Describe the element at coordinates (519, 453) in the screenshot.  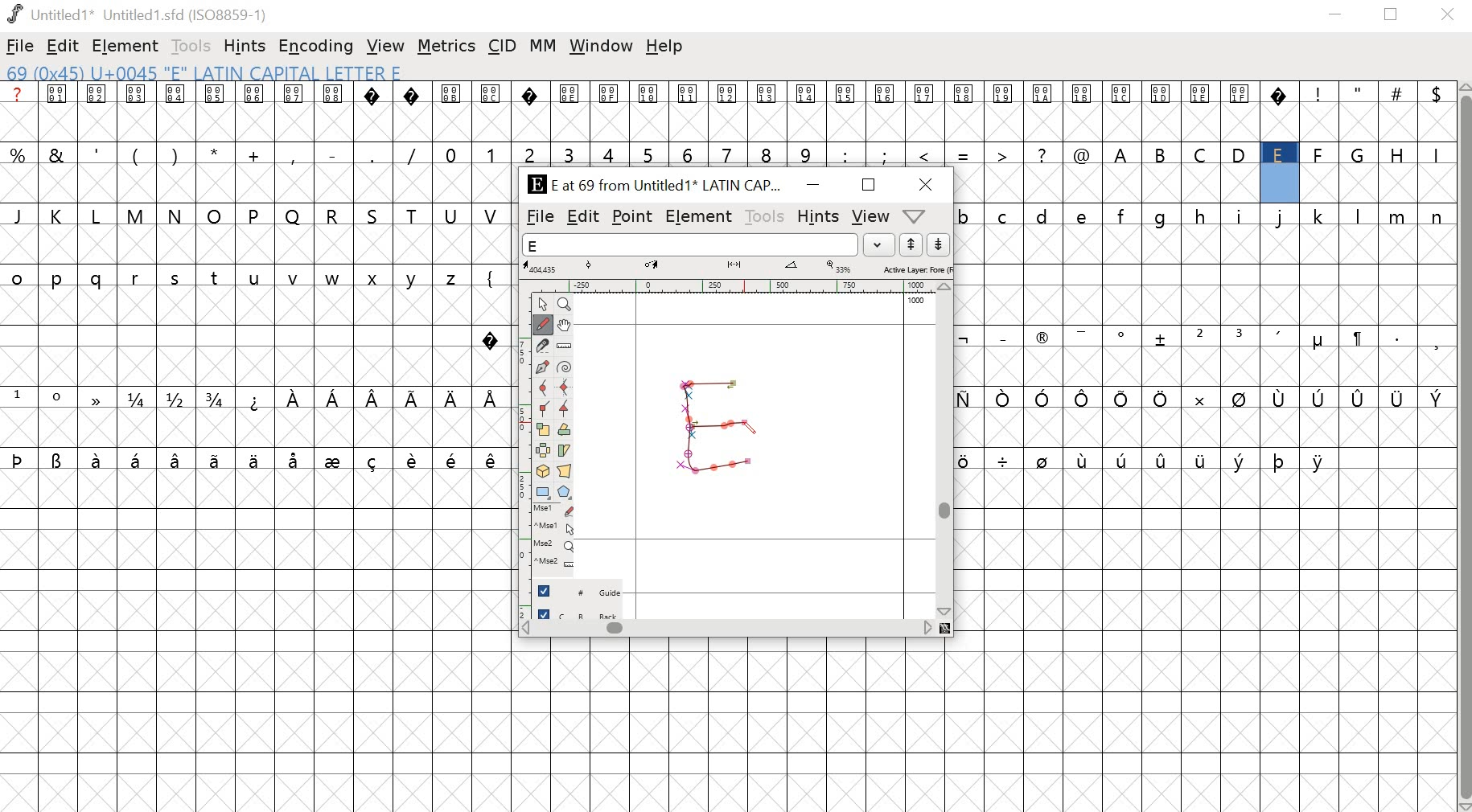
I see `ruler` at that location.